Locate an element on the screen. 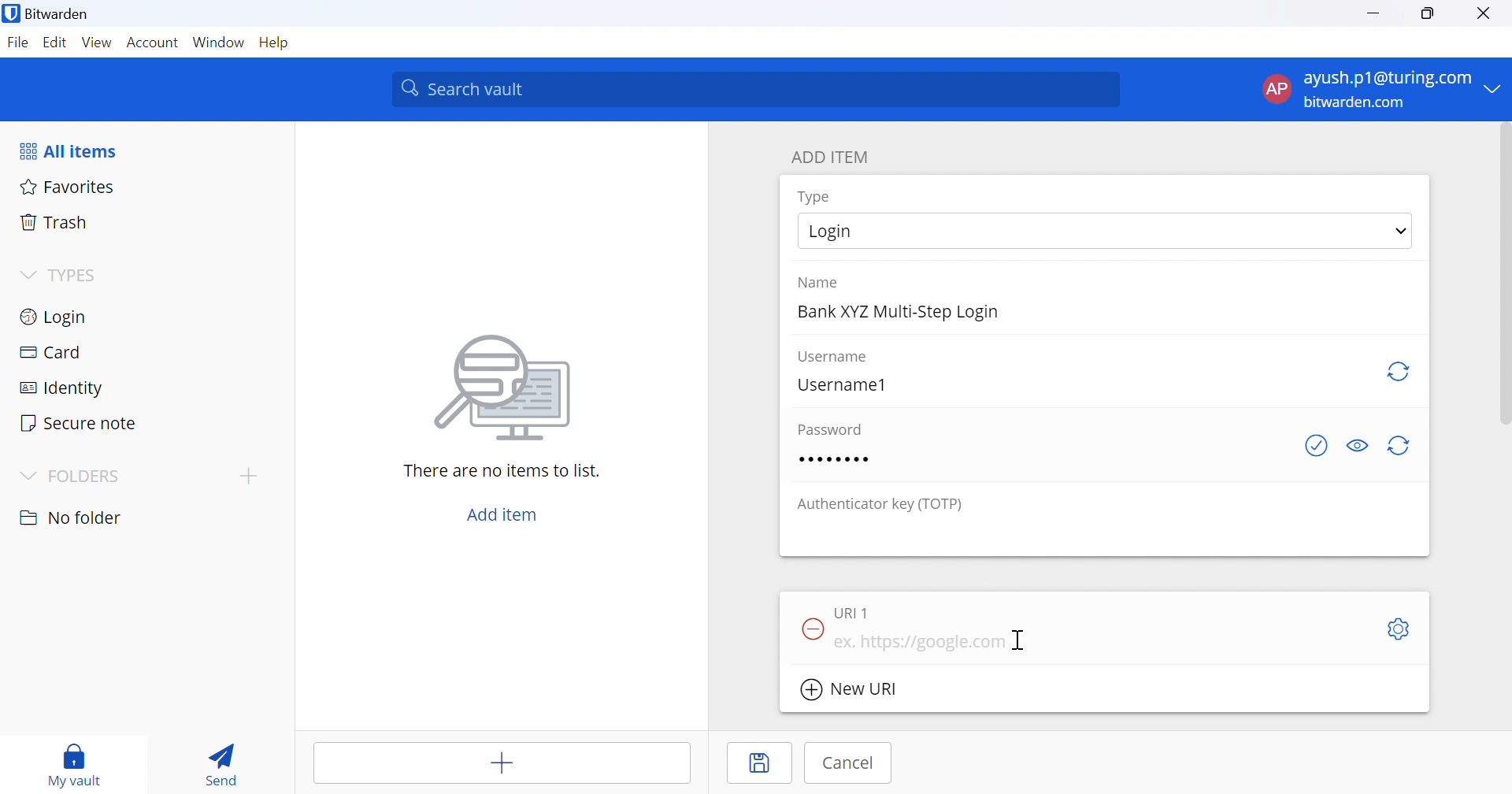 This screenshot has width=1512, height=794. my vault is located at coordinates (79, 764).